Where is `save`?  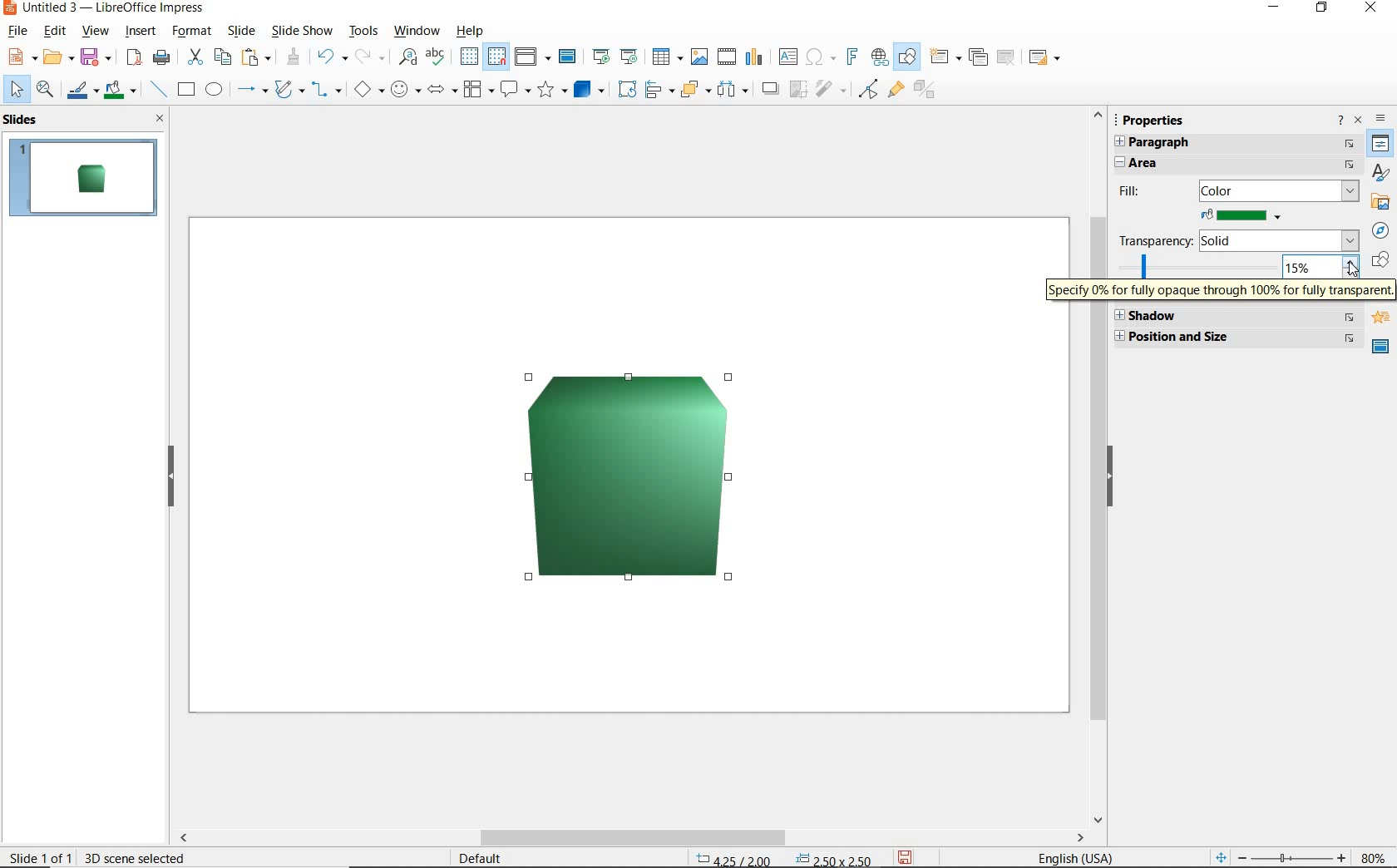 save is located at coordinates (95, 59).